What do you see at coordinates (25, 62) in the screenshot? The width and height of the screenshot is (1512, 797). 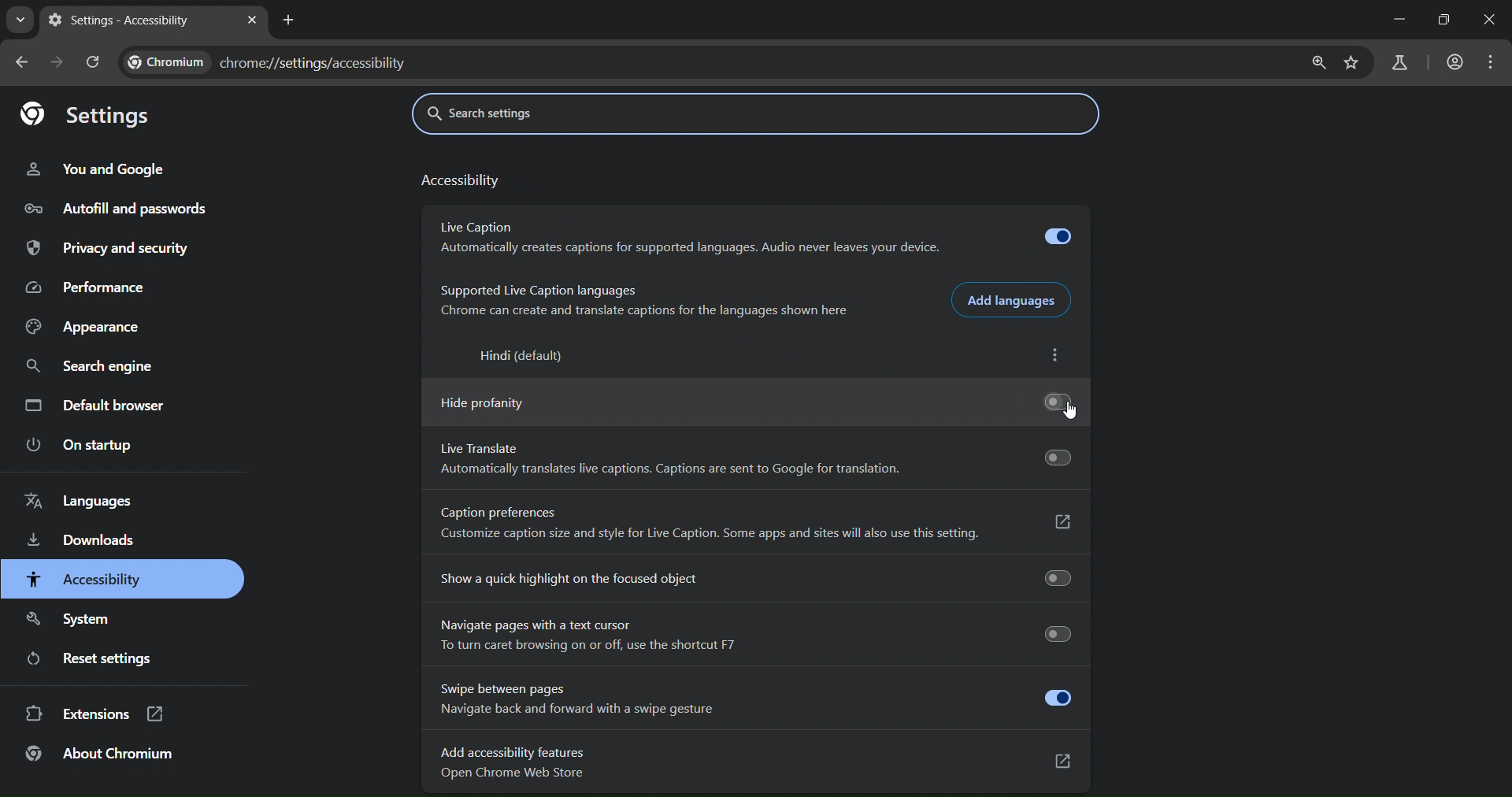 I see `go back one page` at bounding box center [25, 62].